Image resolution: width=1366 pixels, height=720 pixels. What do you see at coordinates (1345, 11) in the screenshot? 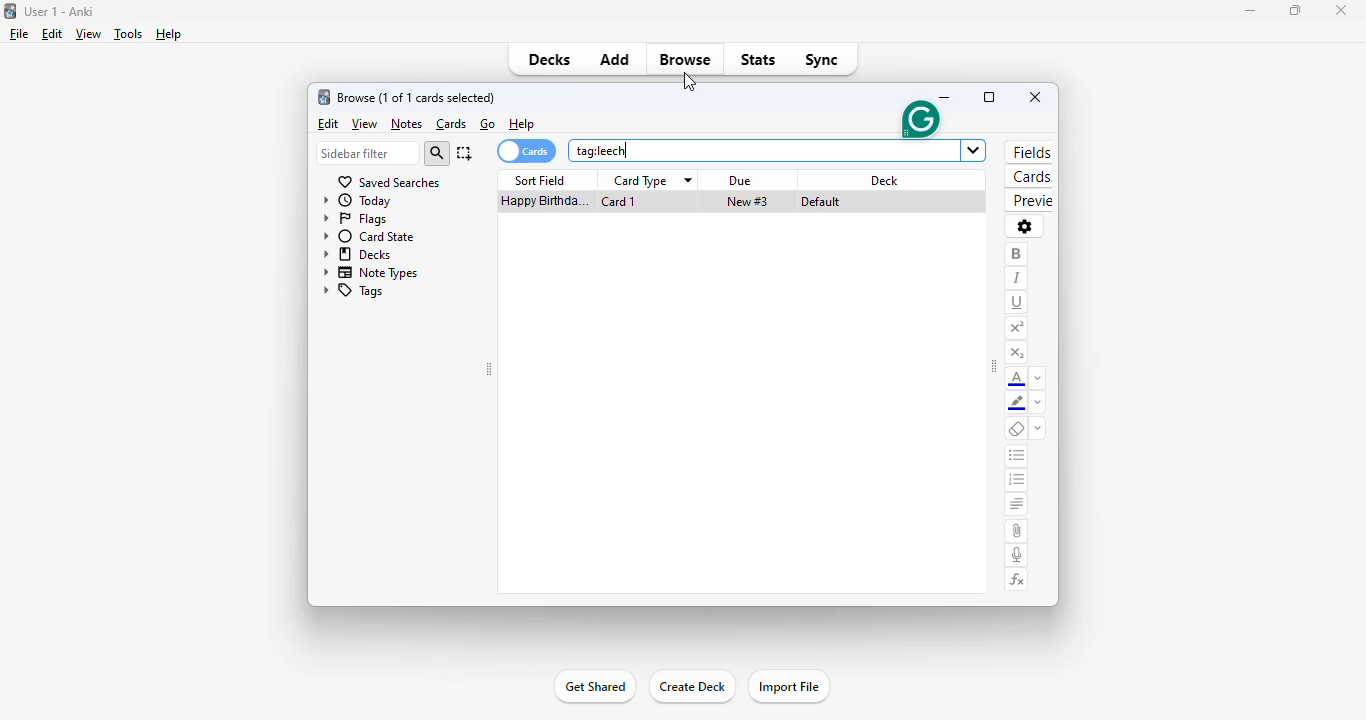
I see `close` at bounding box center [1345, 11].